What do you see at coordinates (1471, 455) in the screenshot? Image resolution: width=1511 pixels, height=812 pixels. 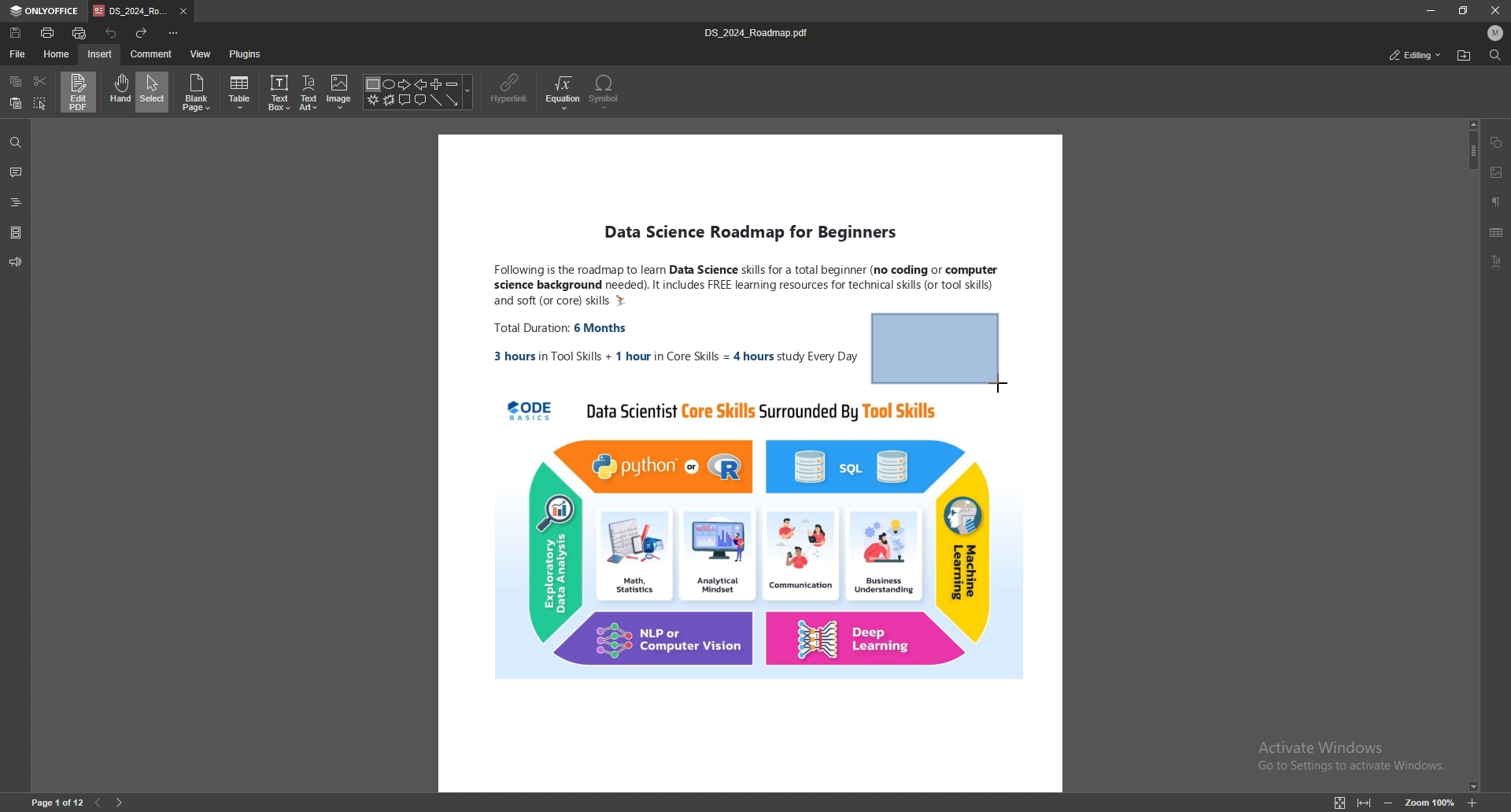 I see `scroll bar` at bounding box center [1471, 455].